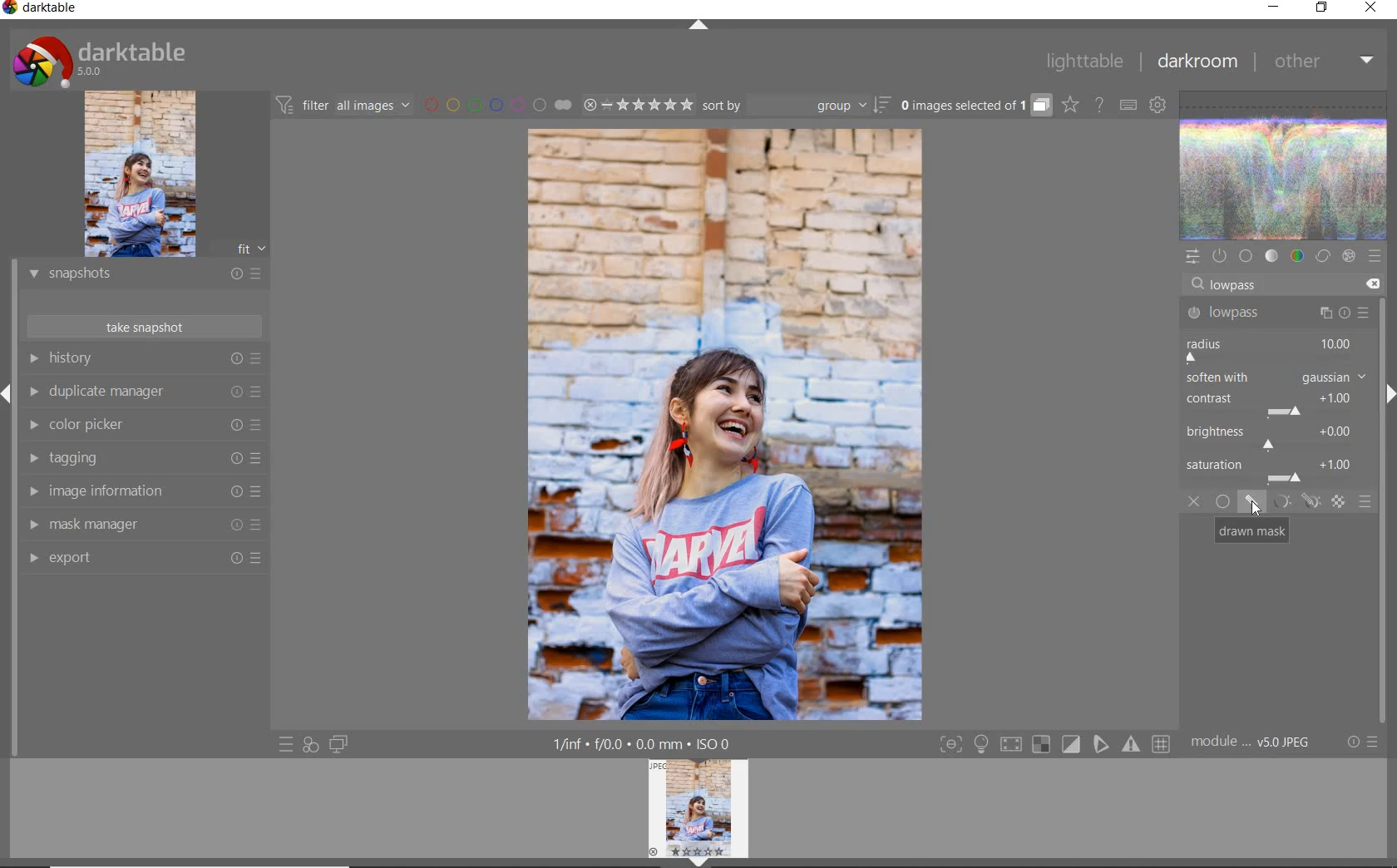 Image resolution: width=1397 pixels, height=868 pixels. I want to click on quick access for applying any of your styles, so click(311, 744).